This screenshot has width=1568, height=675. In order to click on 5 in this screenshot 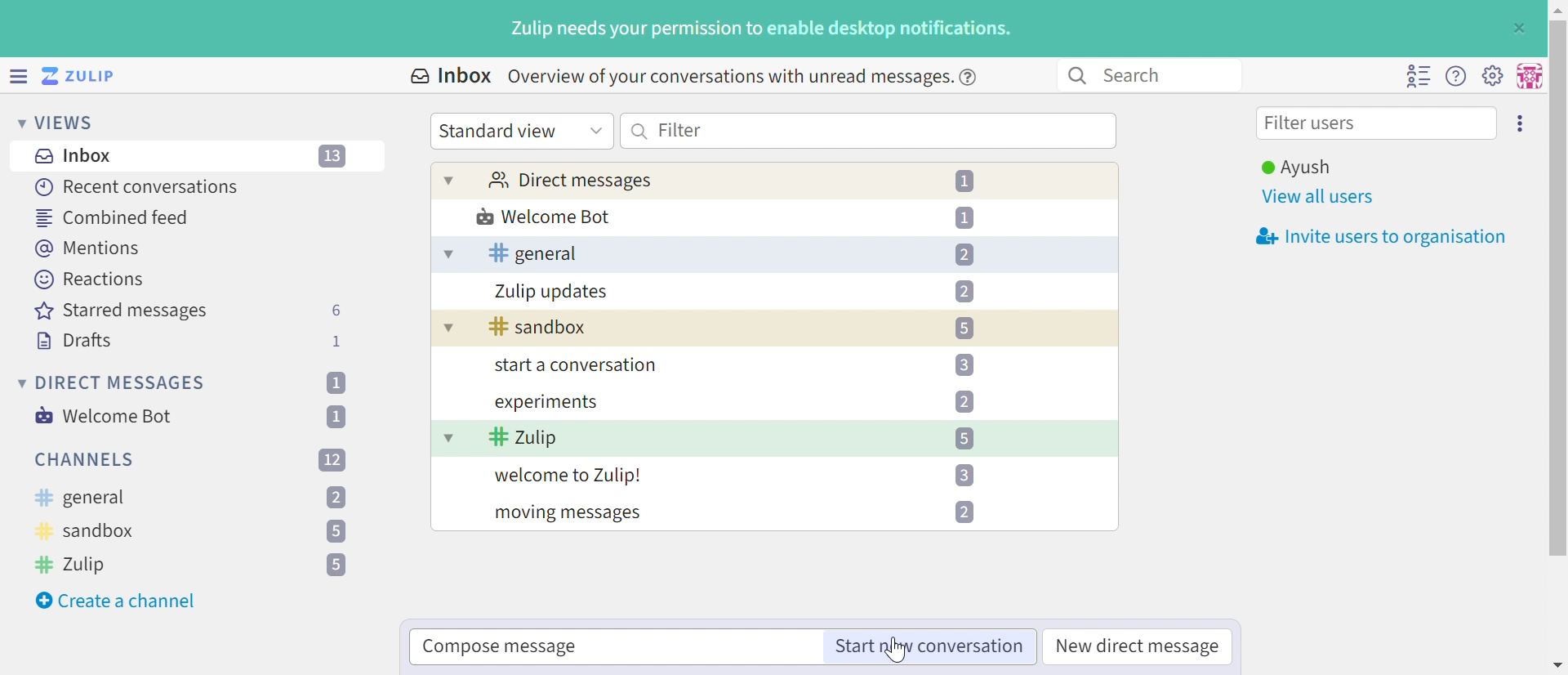, I will do `click(335, 533)`.